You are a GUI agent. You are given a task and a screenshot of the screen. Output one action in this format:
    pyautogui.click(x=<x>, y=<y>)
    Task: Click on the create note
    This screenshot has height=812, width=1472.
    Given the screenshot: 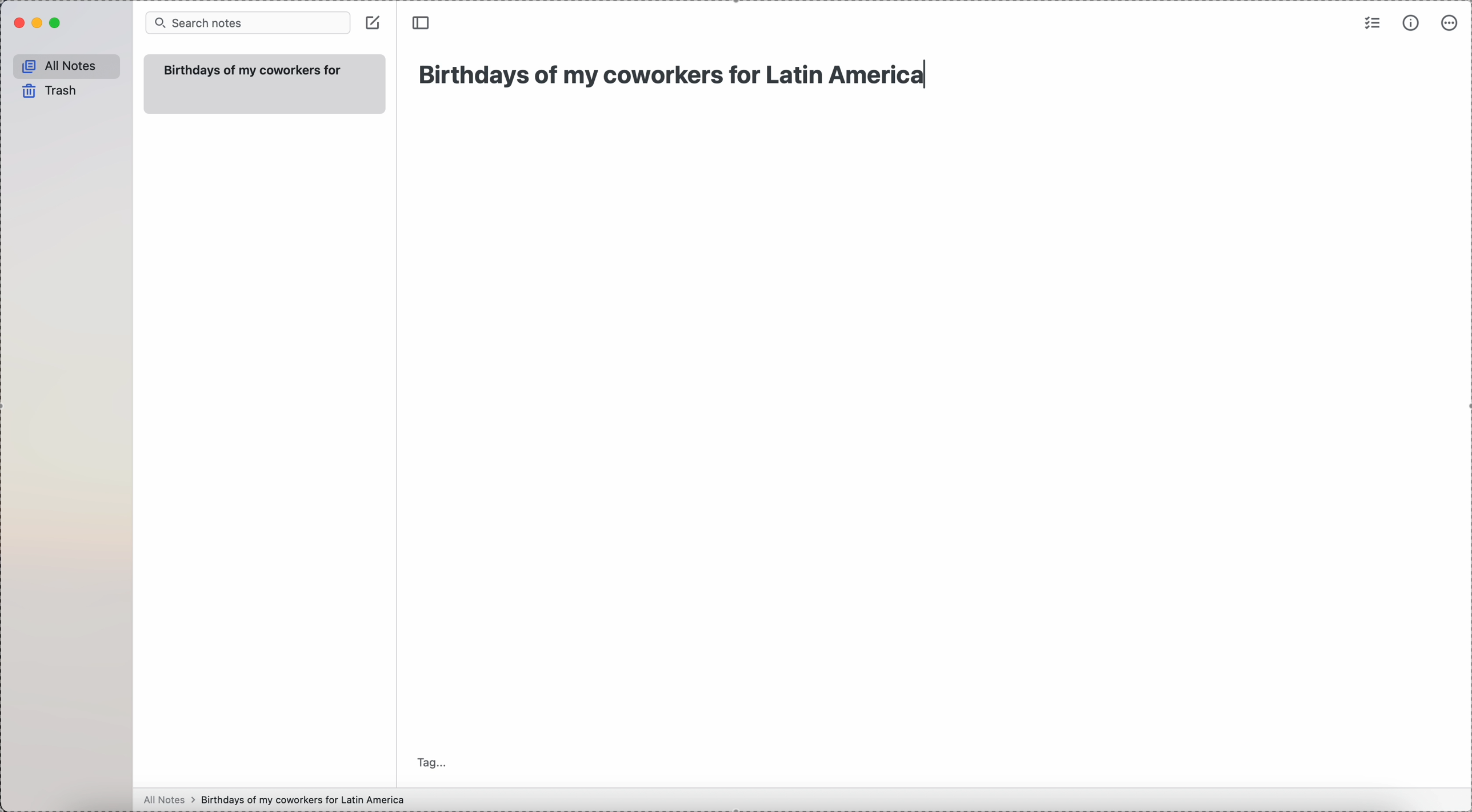 What is the action you would take?
    pyautogui.click(x=373, y=22)
    